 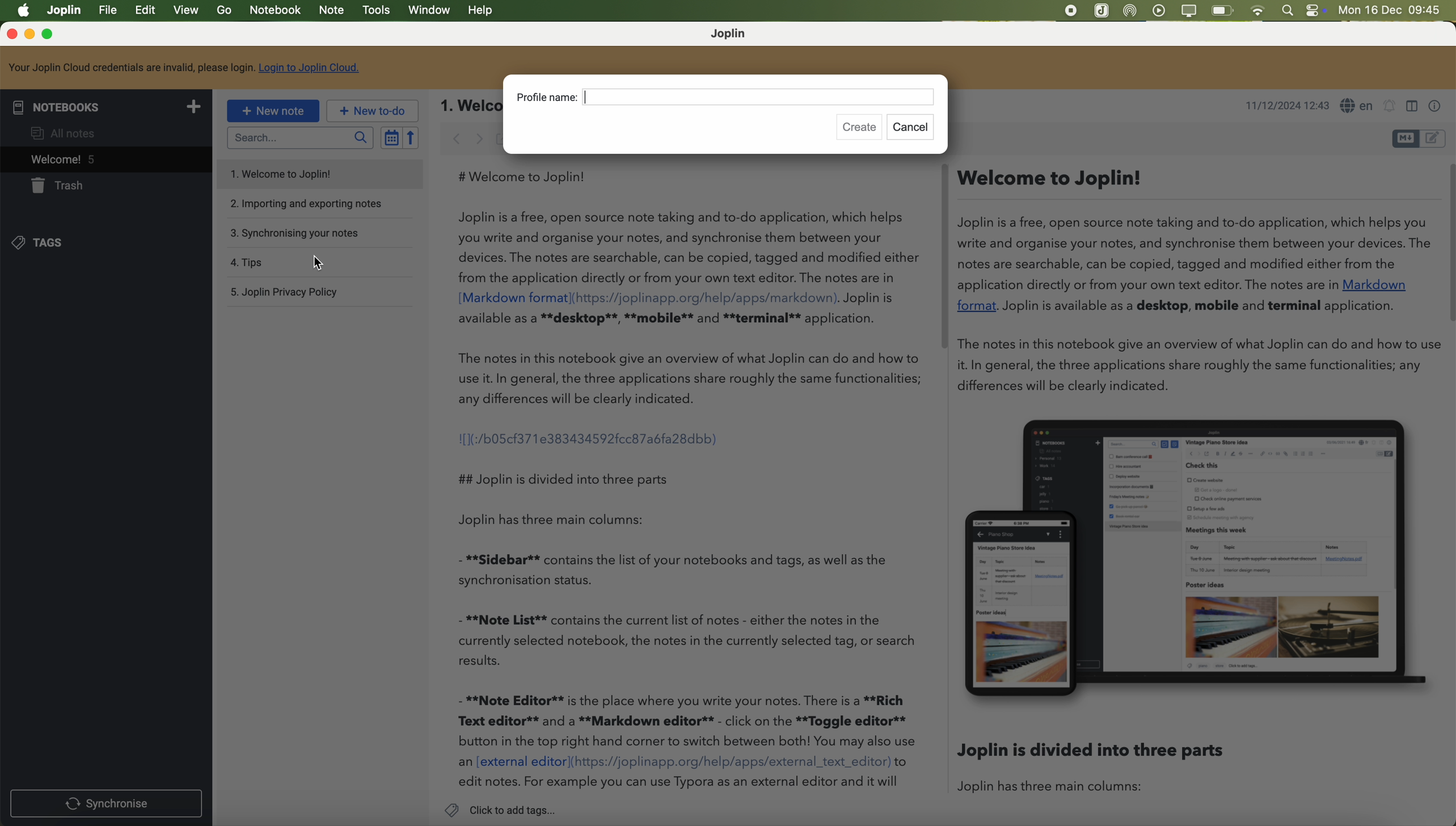 What do you see at coordinates (568, 520) in the screenshot?
I see `Joplin has three main columns:` at bounding box center [568, 520].